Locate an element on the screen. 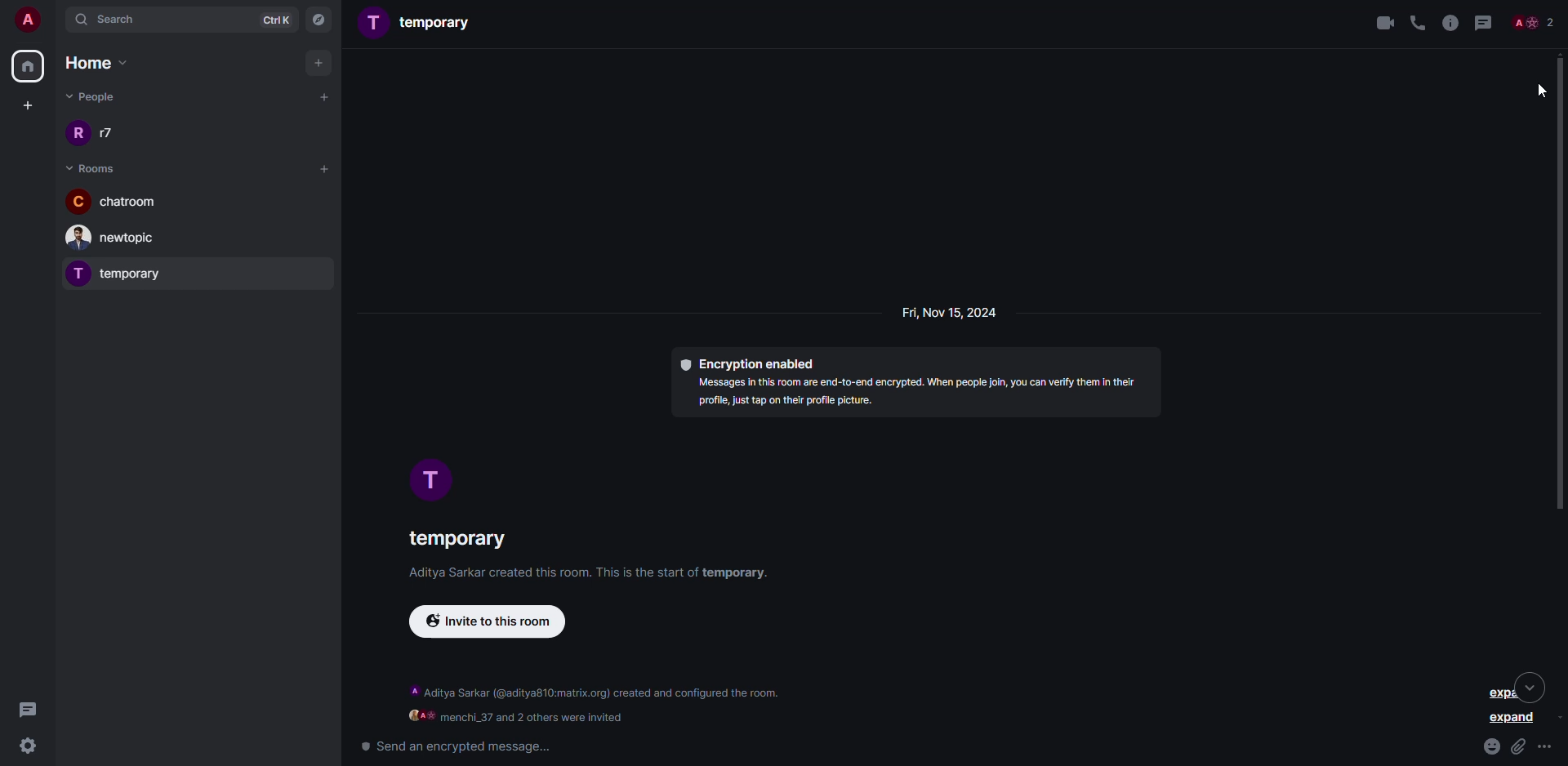 This screenshot has height=766, width=1568. people is located at coordinates (96, 99).